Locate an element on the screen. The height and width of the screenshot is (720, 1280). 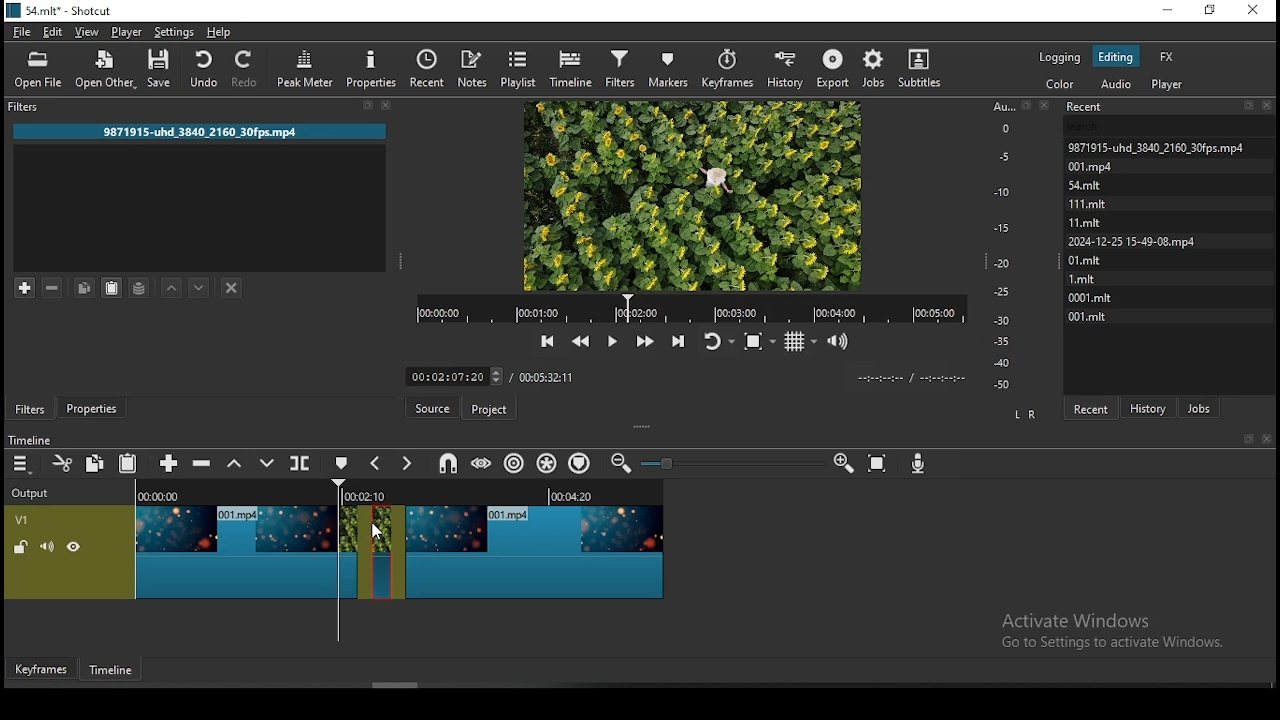
save is located at coordinates (162, 70).